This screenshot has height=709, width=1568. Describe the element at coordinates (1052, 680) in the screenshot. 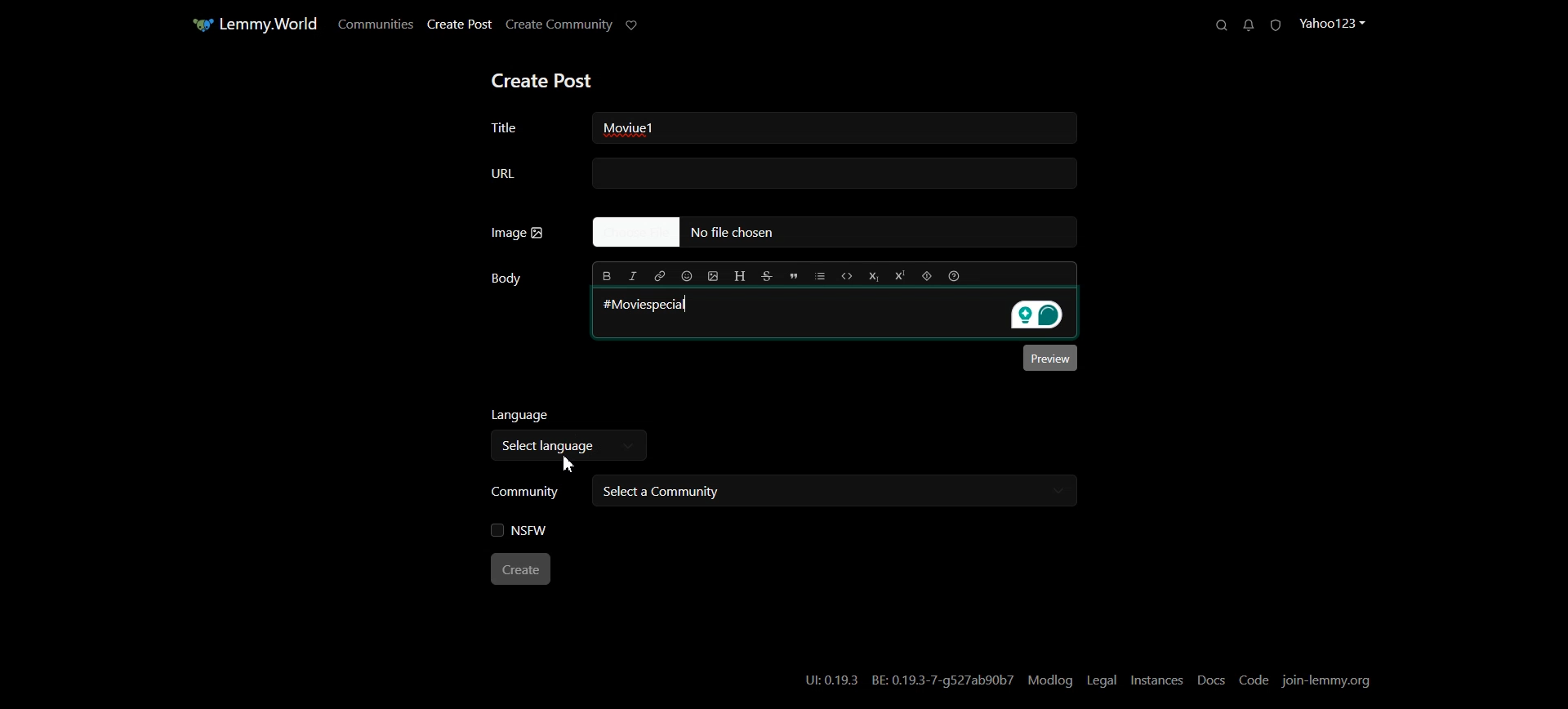

I see `Modlog` at that location.